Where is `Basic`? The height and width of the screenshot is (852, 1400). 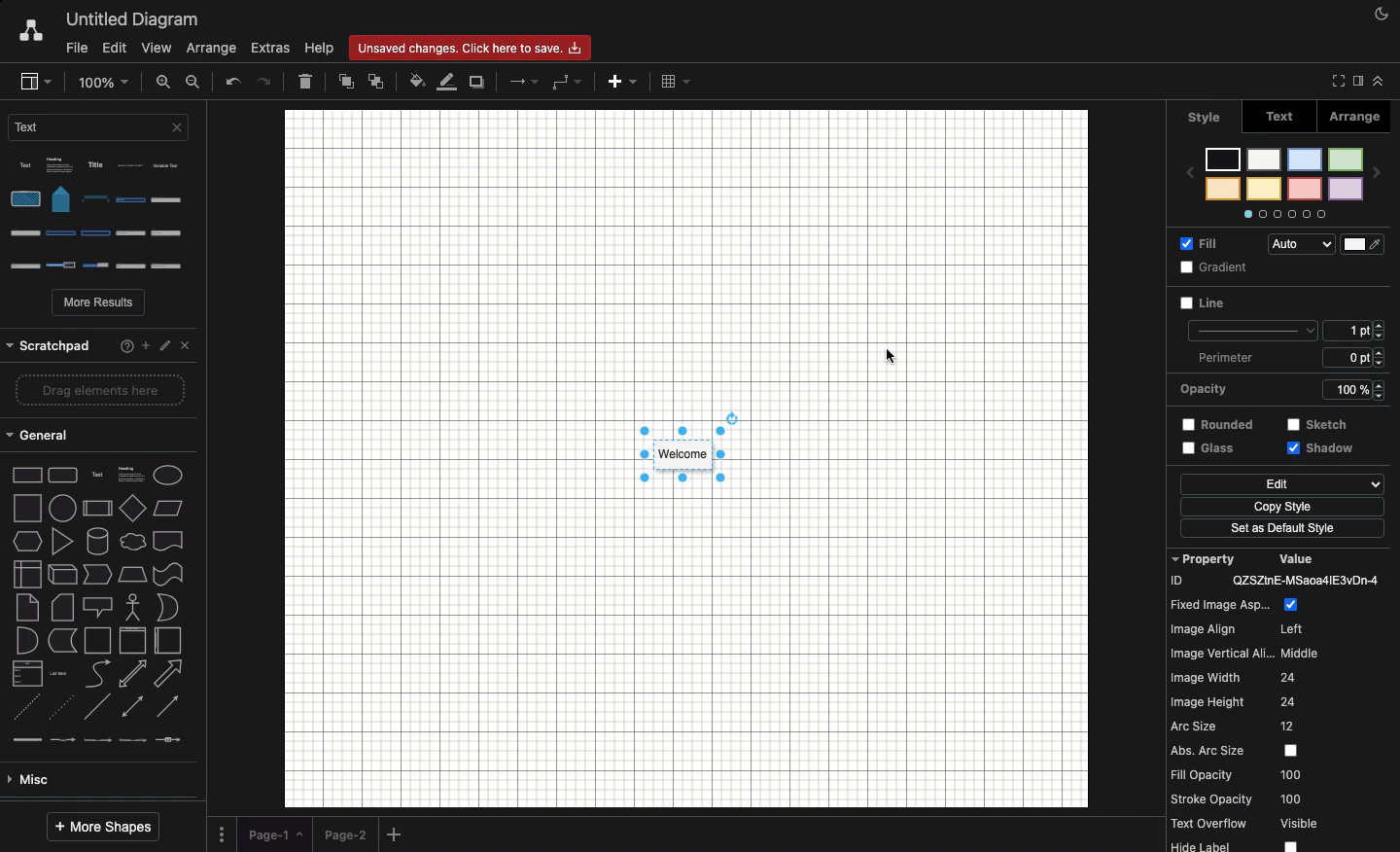
Basic is located at coordinates (98, 673).